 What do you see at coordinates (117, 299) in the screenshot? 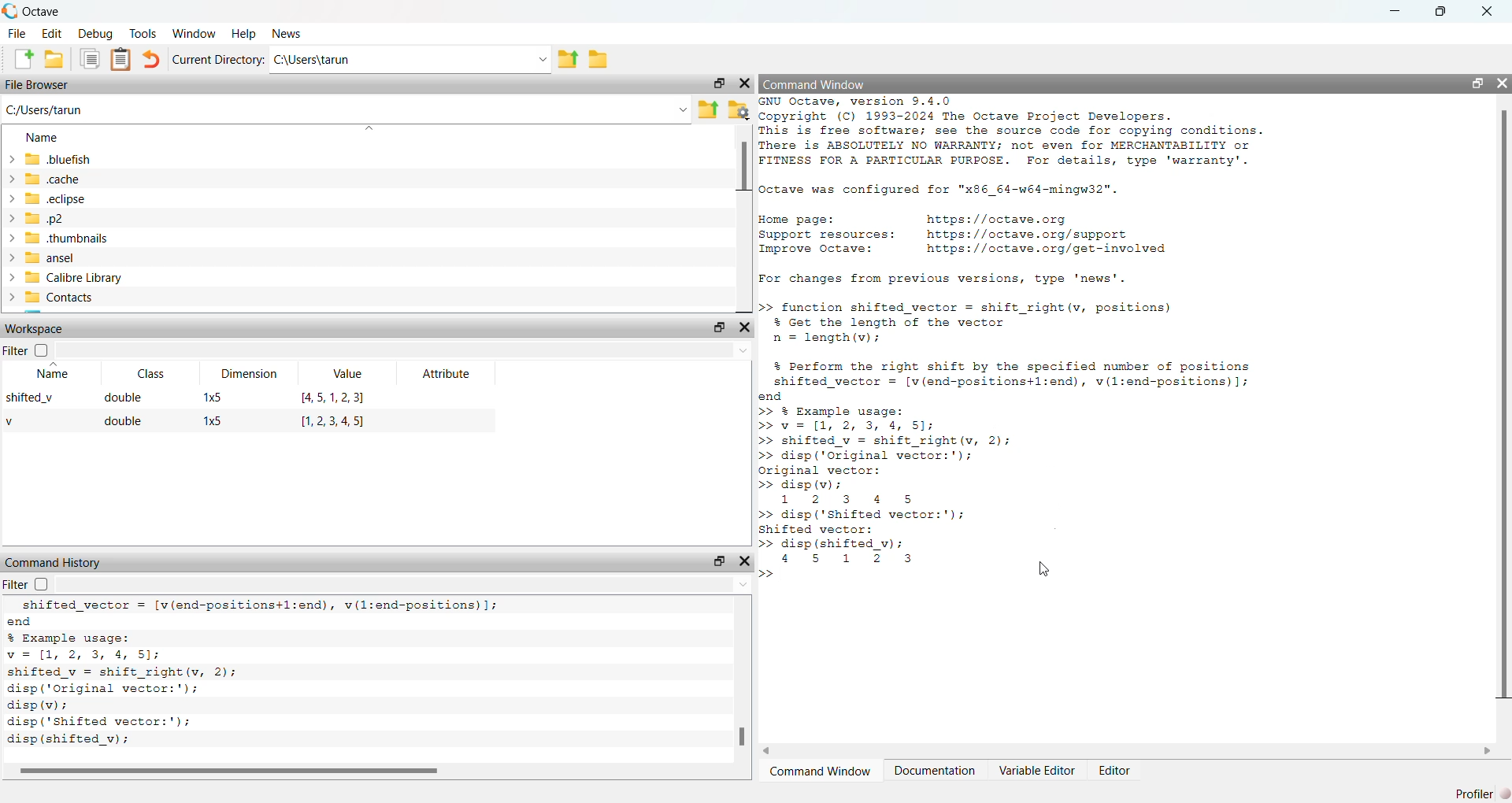
I see `contacts` at bounding box center [117, 299].